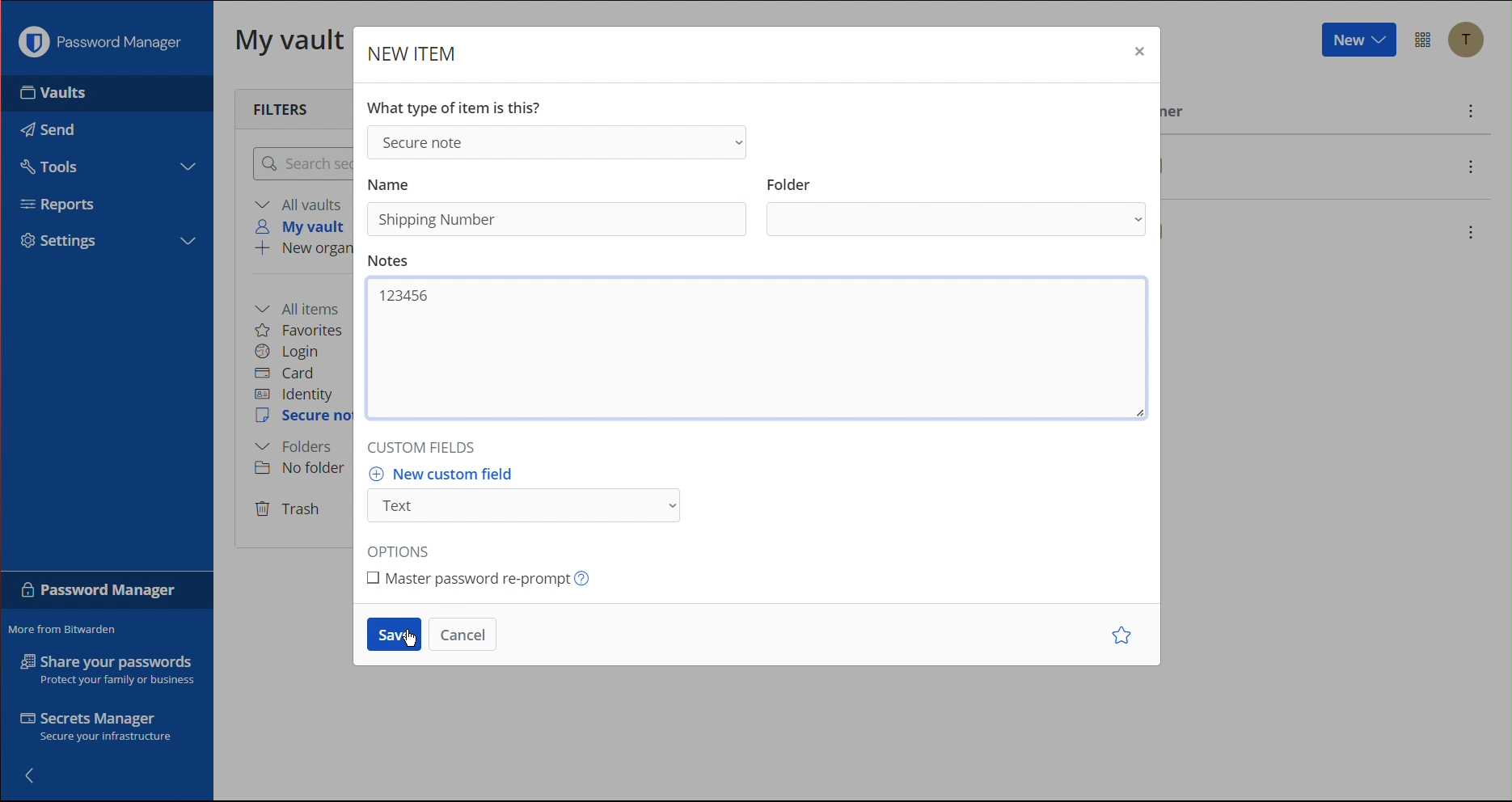  I want to click on Search Bar, so click(303, 165).